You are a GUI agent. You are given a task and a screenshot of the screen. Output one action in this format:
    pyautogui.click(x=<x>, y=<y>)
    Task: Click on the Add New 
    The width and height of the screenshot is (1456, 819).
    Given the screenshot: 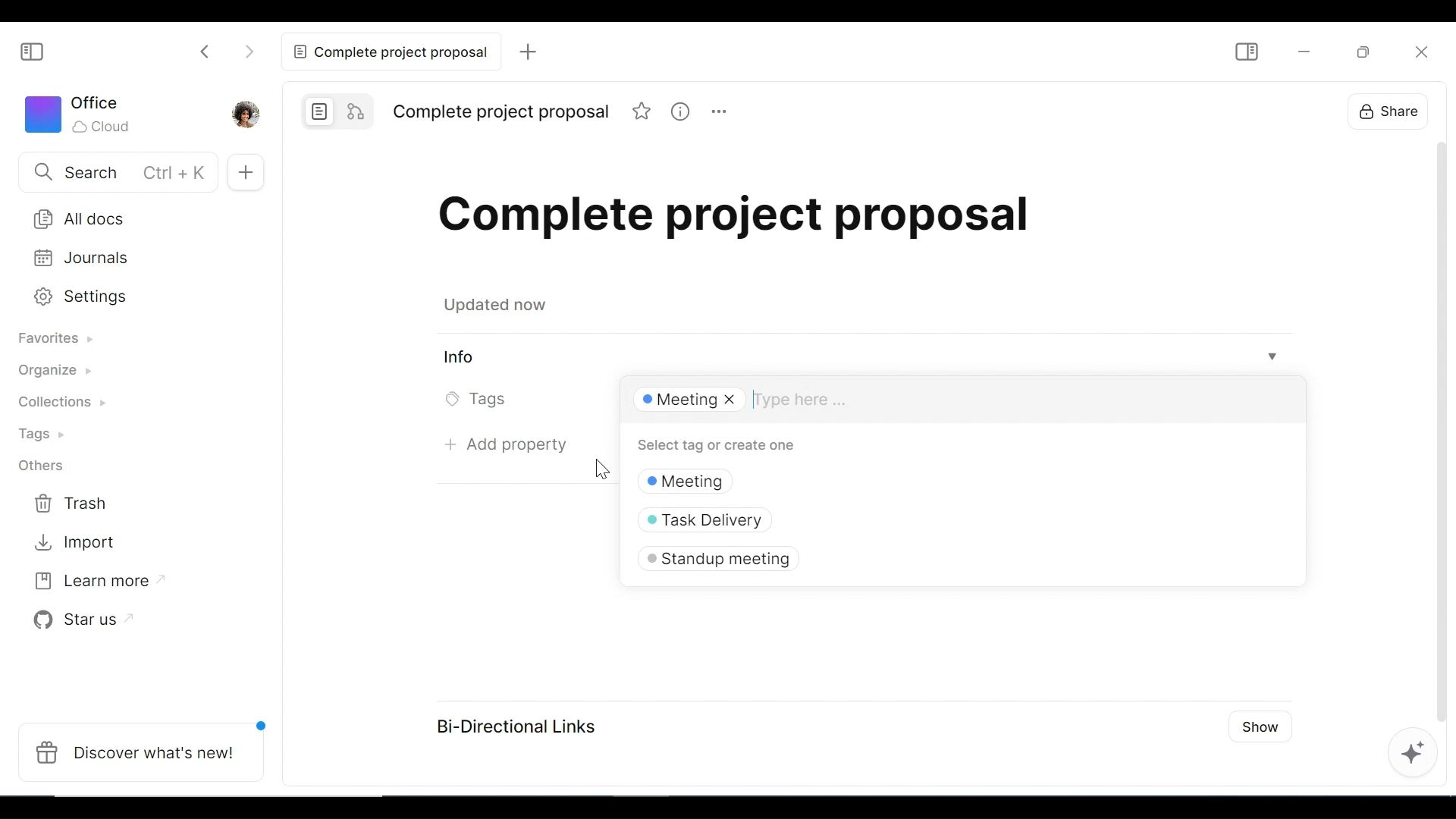 What is the action you would take?
    pyautogui.click(x=249, y=171)
    